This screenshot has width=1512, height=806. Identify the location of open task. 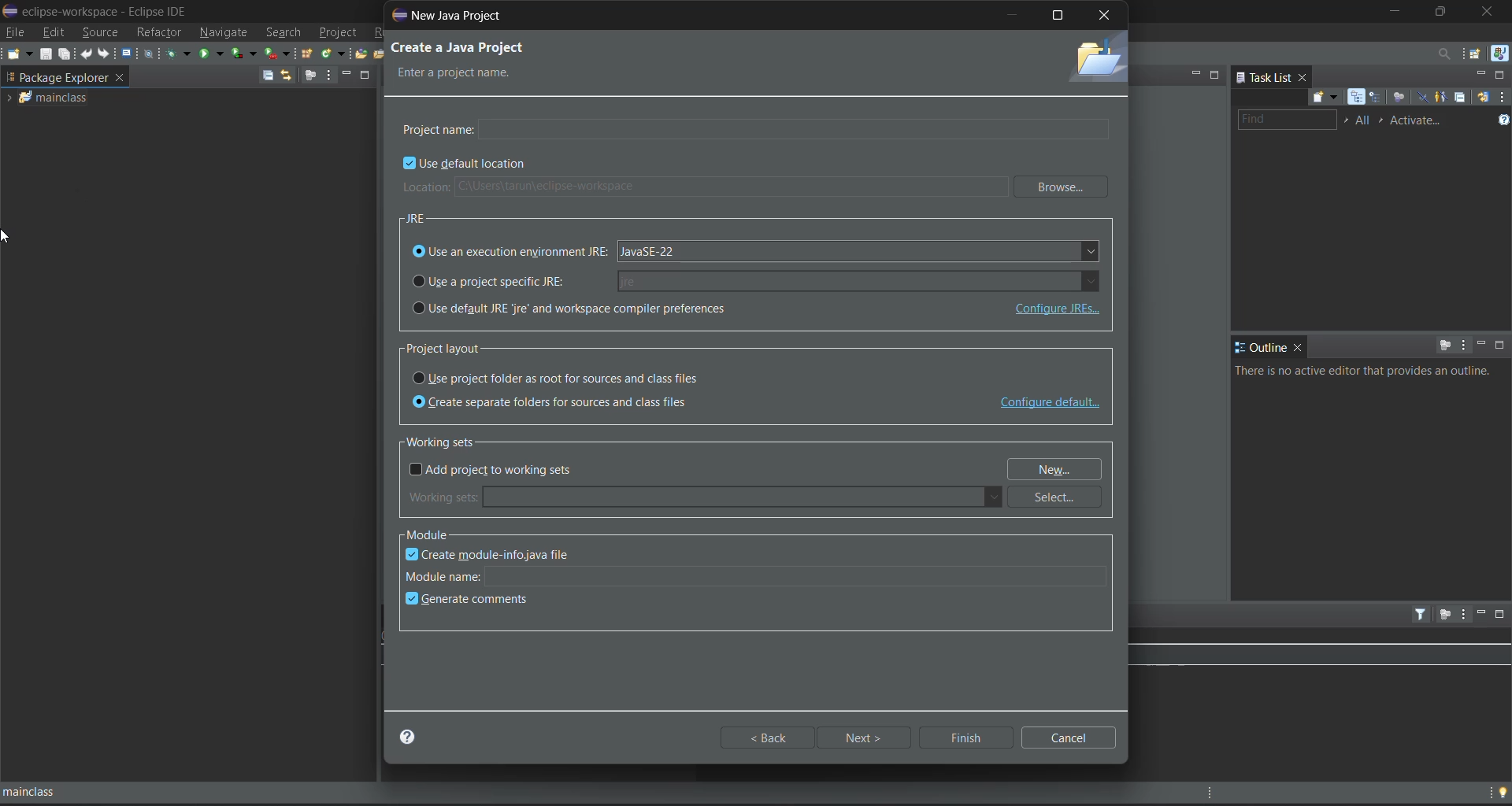
(384, 54).